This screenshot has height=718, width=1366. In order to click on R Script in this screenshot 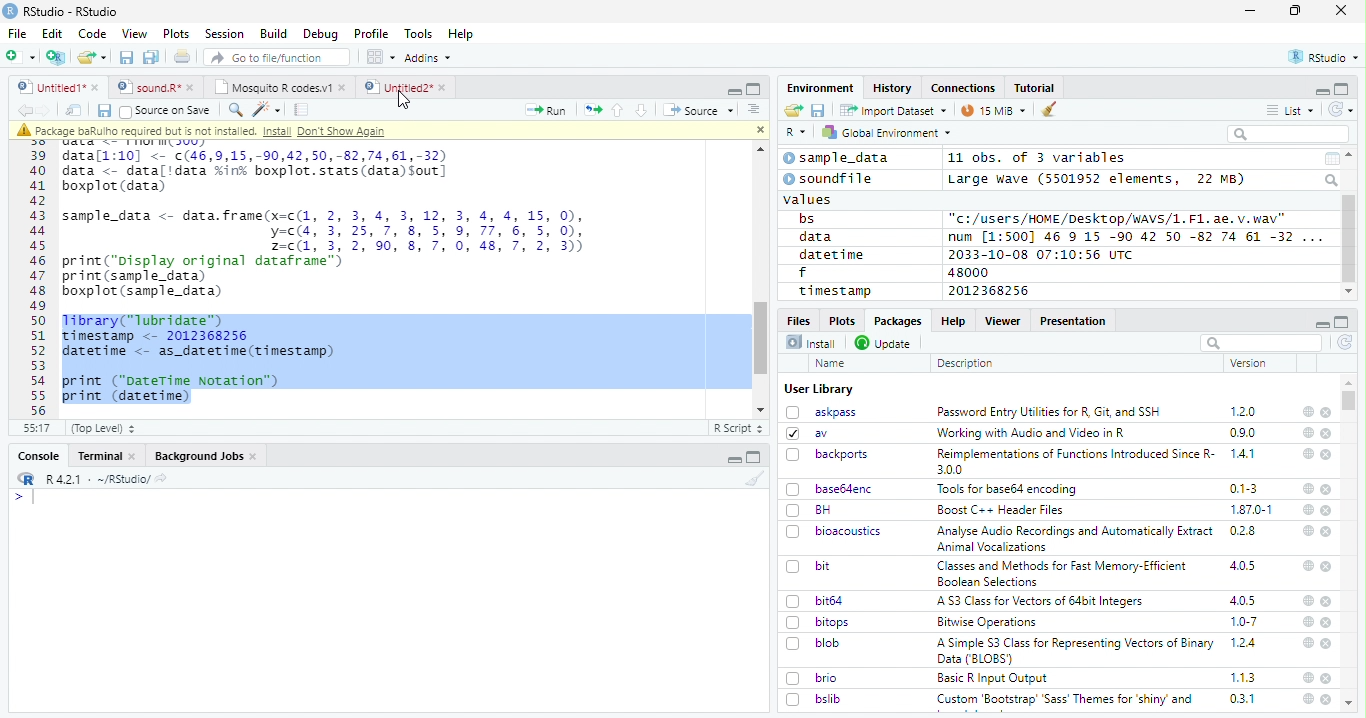, I will do `click(737, 429)`.